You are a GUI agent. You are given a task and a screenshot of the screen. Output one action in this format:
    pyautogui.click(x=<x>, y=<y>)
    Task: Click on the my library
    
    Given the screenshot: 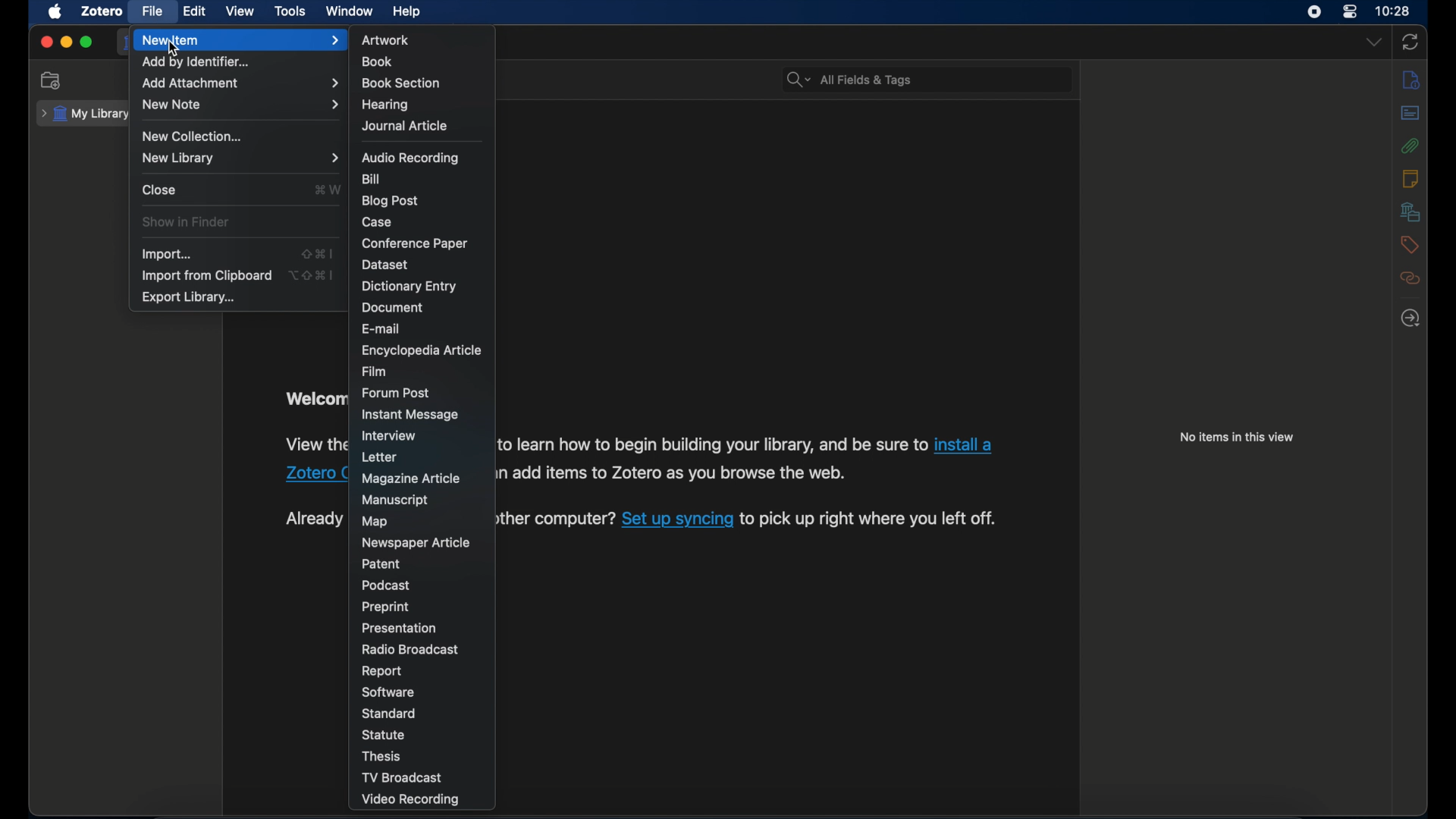 What is the action you would take?
    pyautogui.click(x=86, y=115)
    